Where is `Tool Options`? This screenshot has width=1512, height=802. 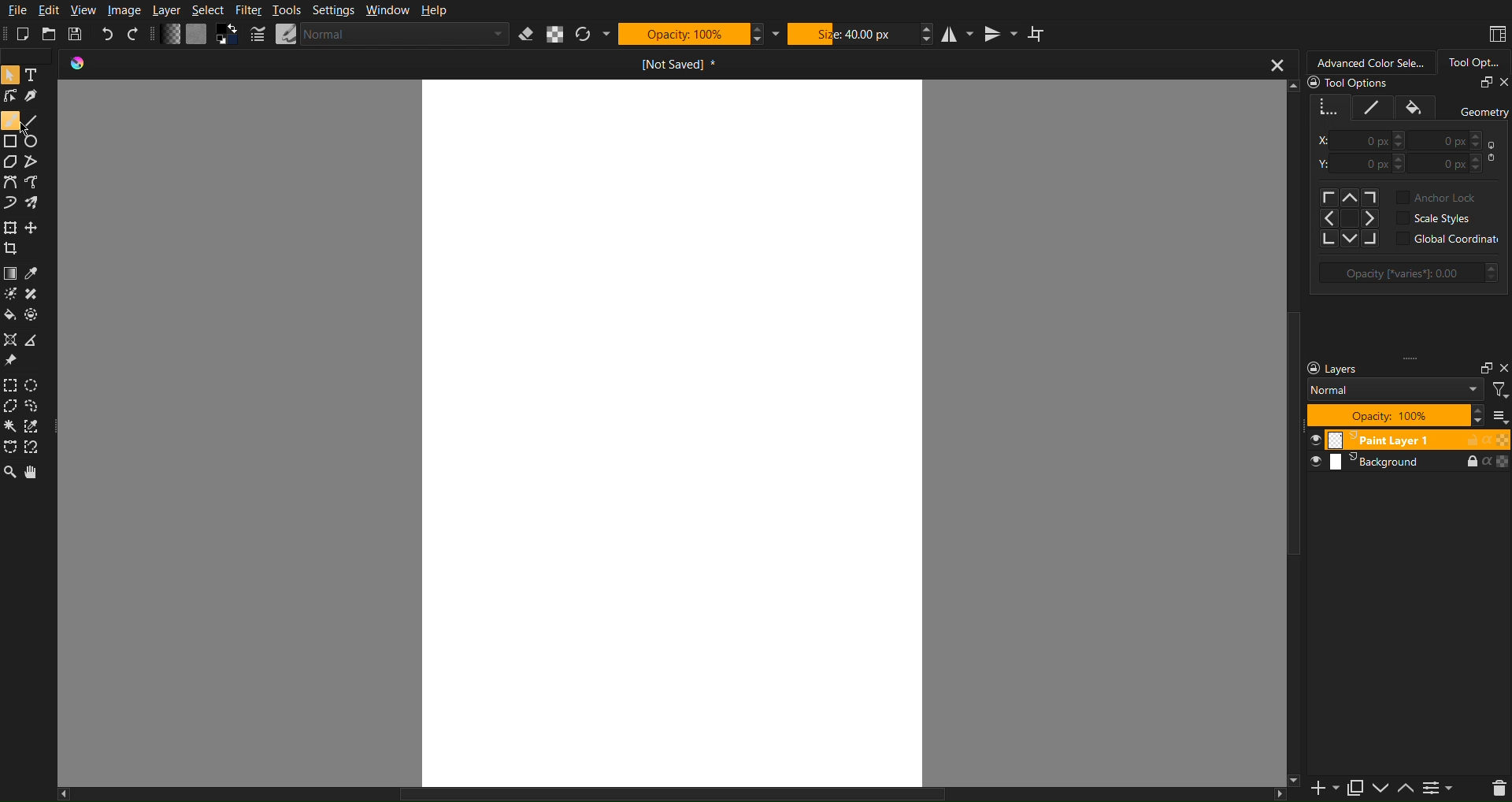
Tool Options is located at coordinates (1348, 83).